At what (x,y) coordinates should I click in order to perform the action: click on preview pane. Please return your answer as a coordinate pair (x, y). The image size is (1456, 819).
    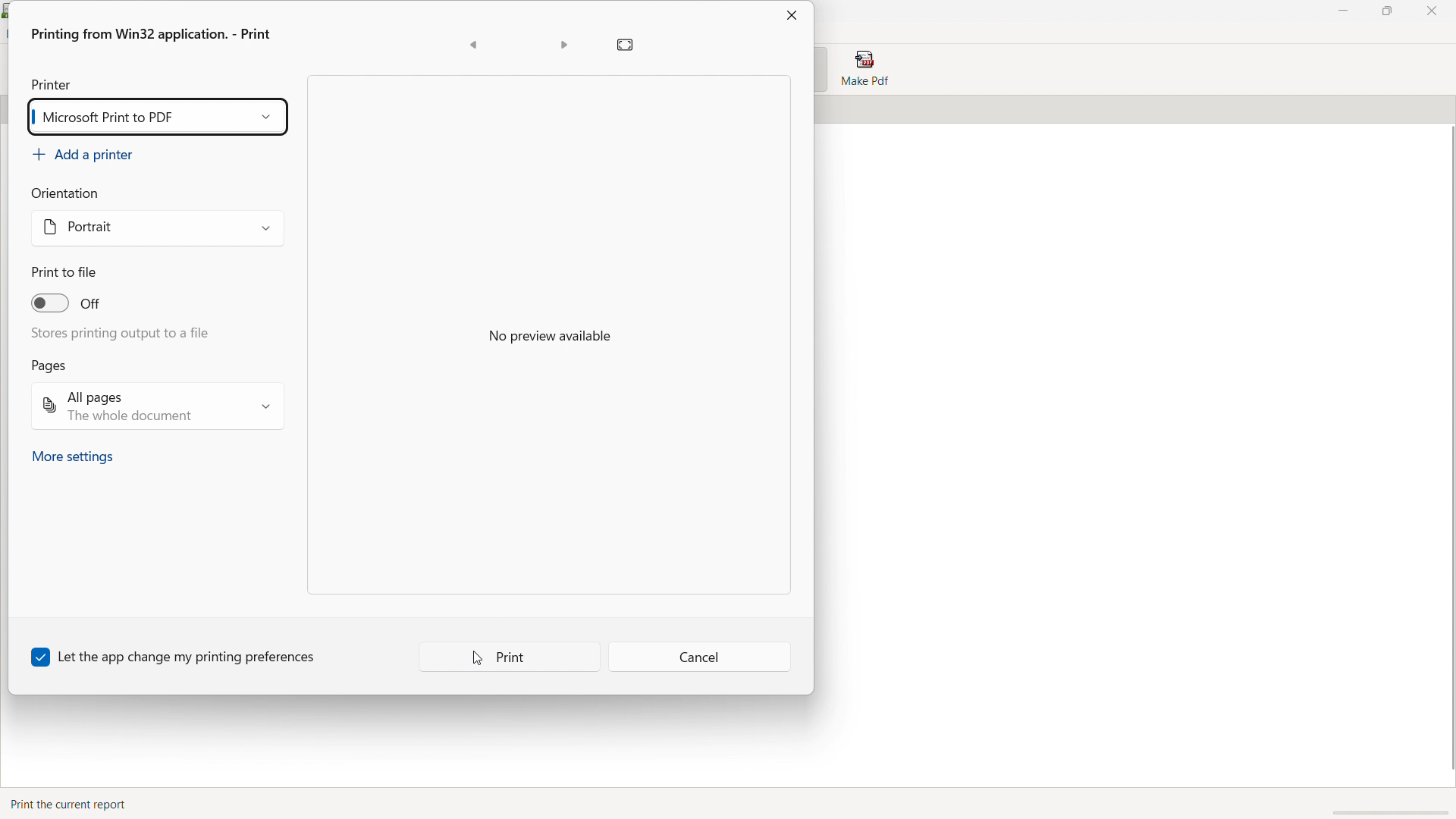
    Looking at the image, I should click on (549, 334).